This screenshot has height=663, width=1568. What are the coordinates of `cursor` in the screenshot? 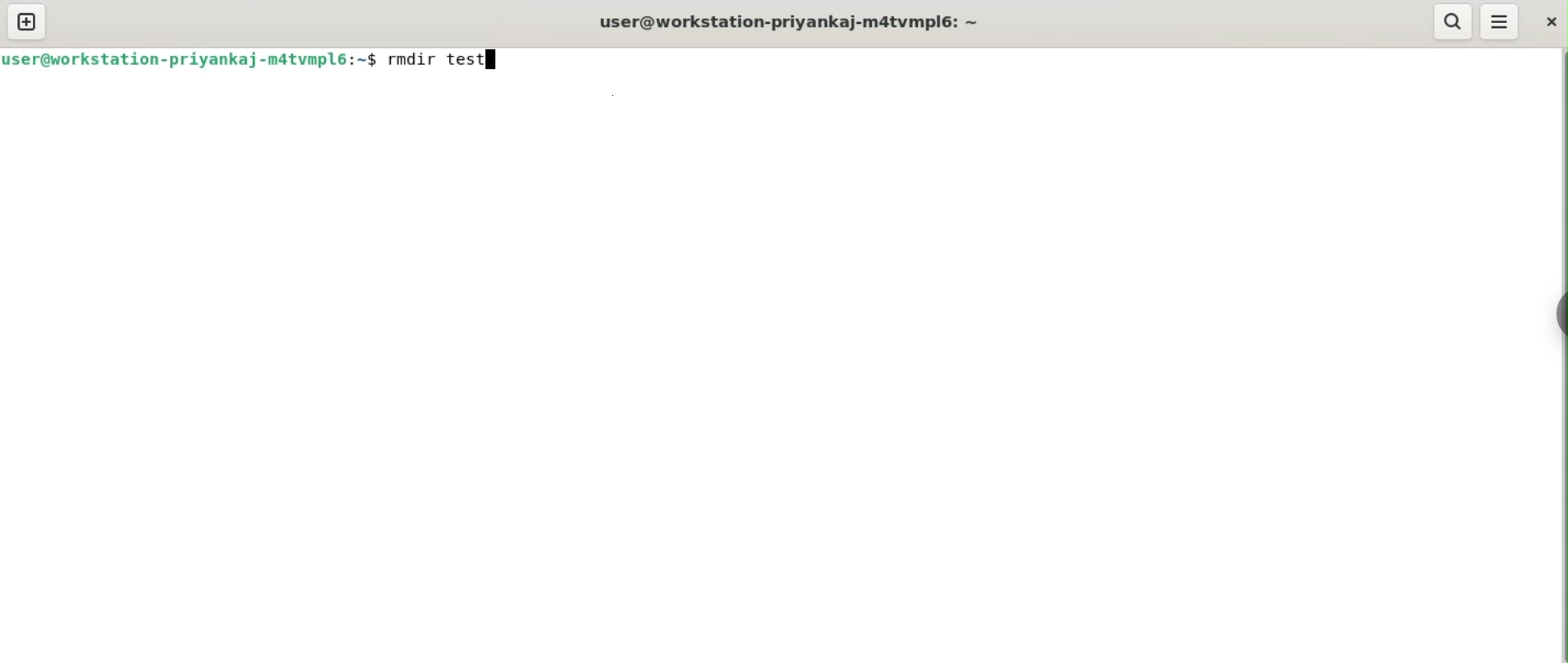 It's located at (487, 62).